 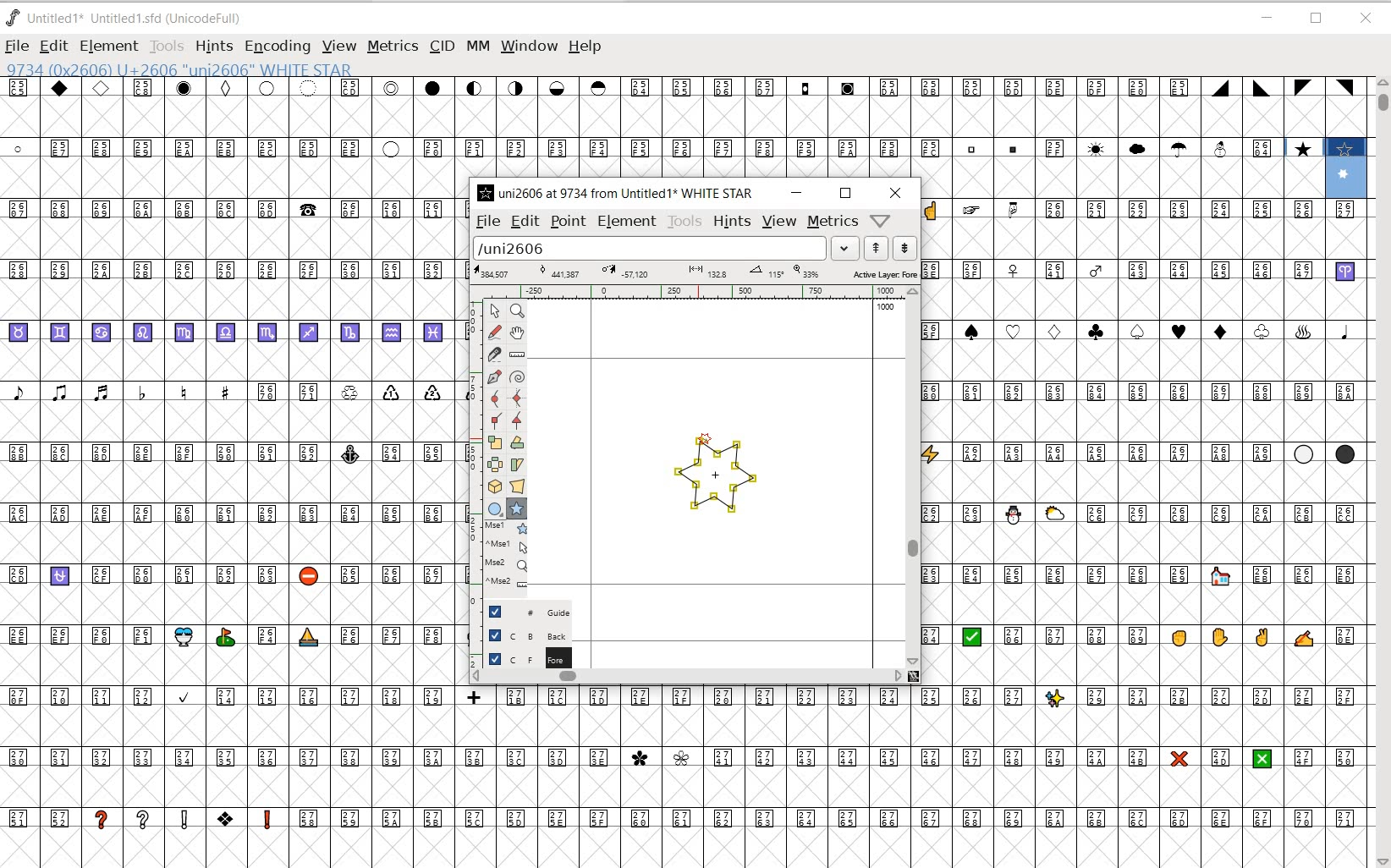 I want to click on TOOLS, so click(x=684, y=222).